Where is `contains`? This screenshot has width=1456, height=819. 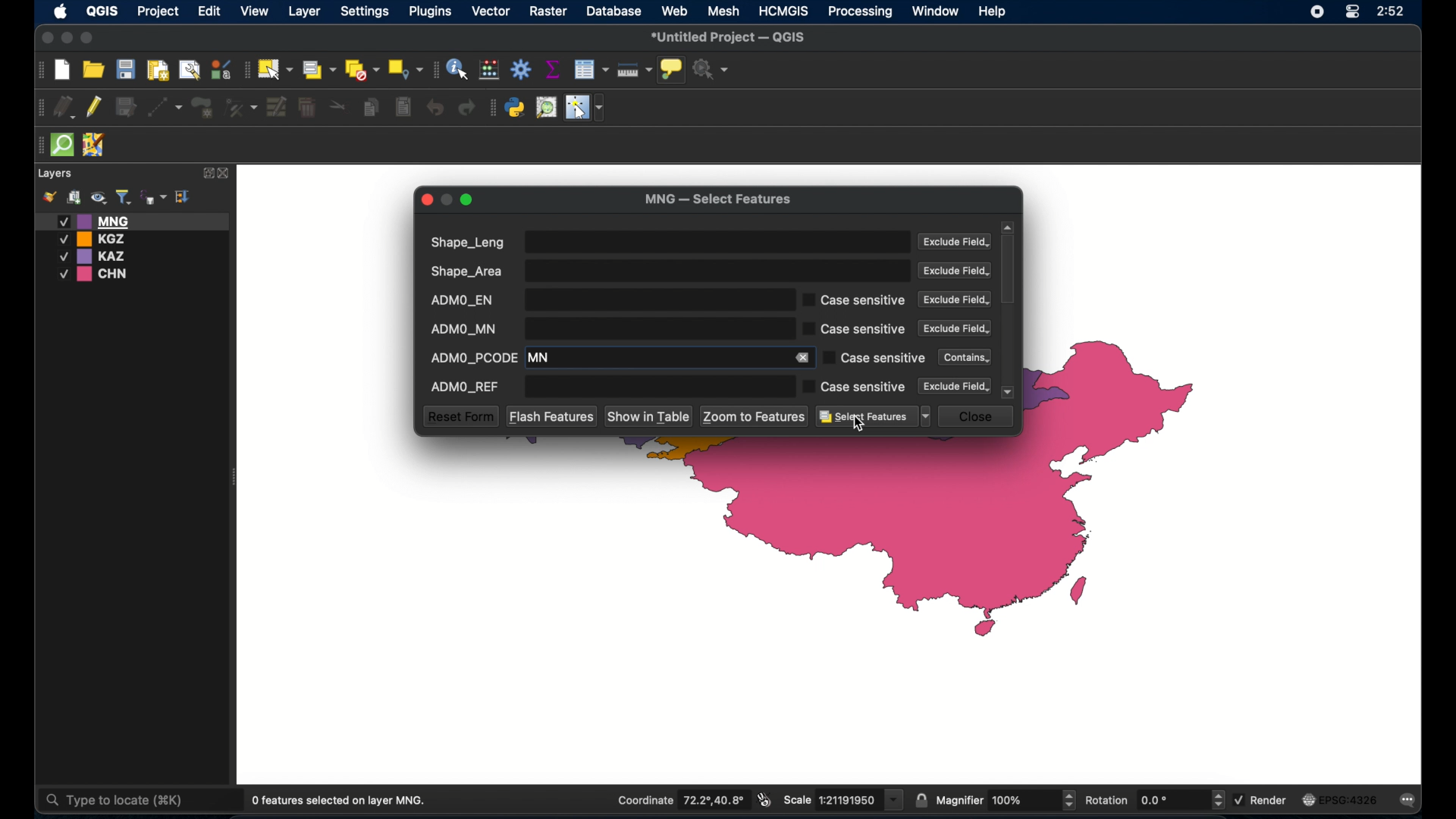
contains is located at coordinates (961, 356).